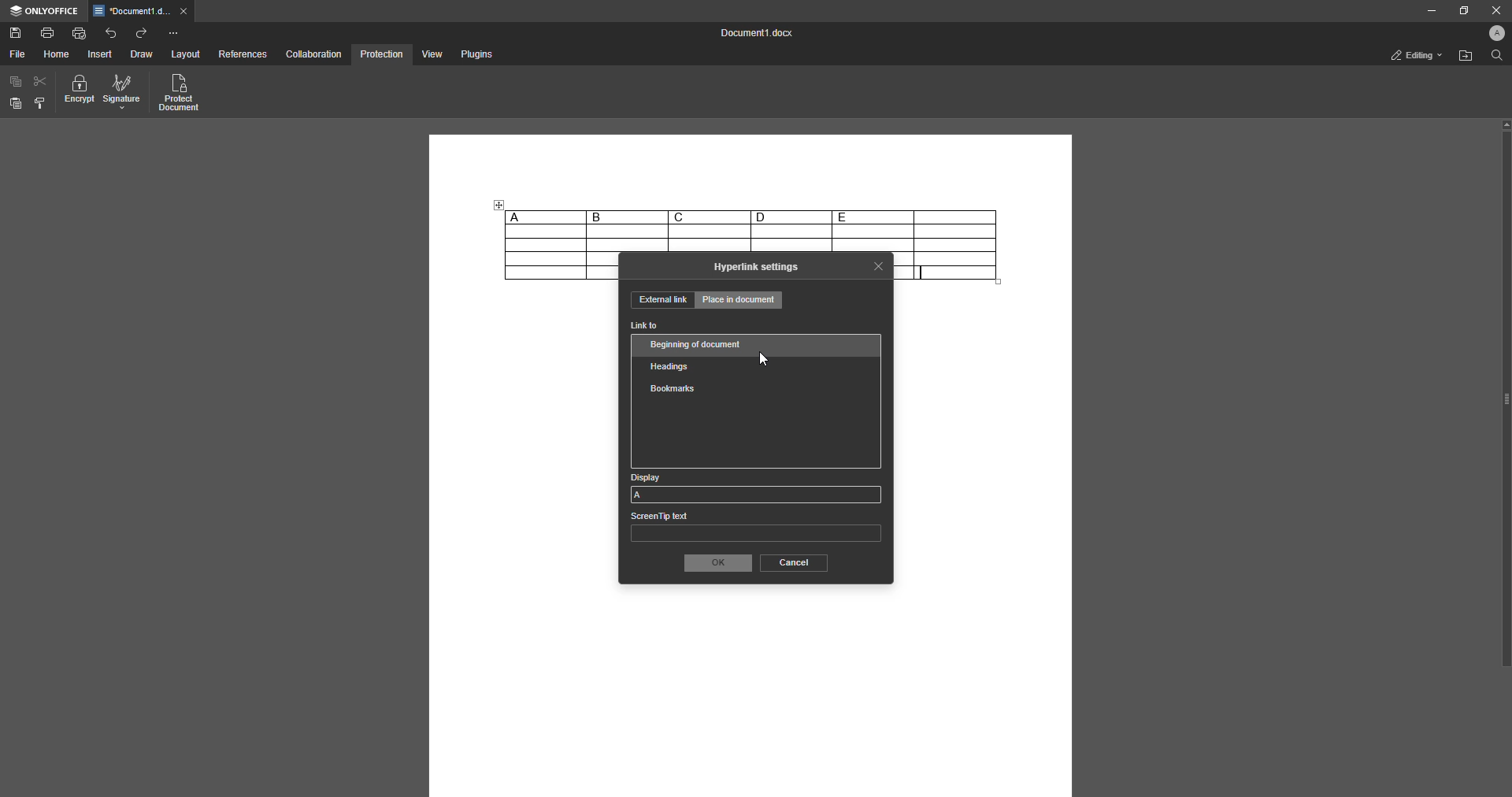 Image resolution: width=1512 pixels, height=797 pixels. What do you see at coordinates (661, 300) in the screenshot?
I see `External Link` at bounding box center [661, 300].